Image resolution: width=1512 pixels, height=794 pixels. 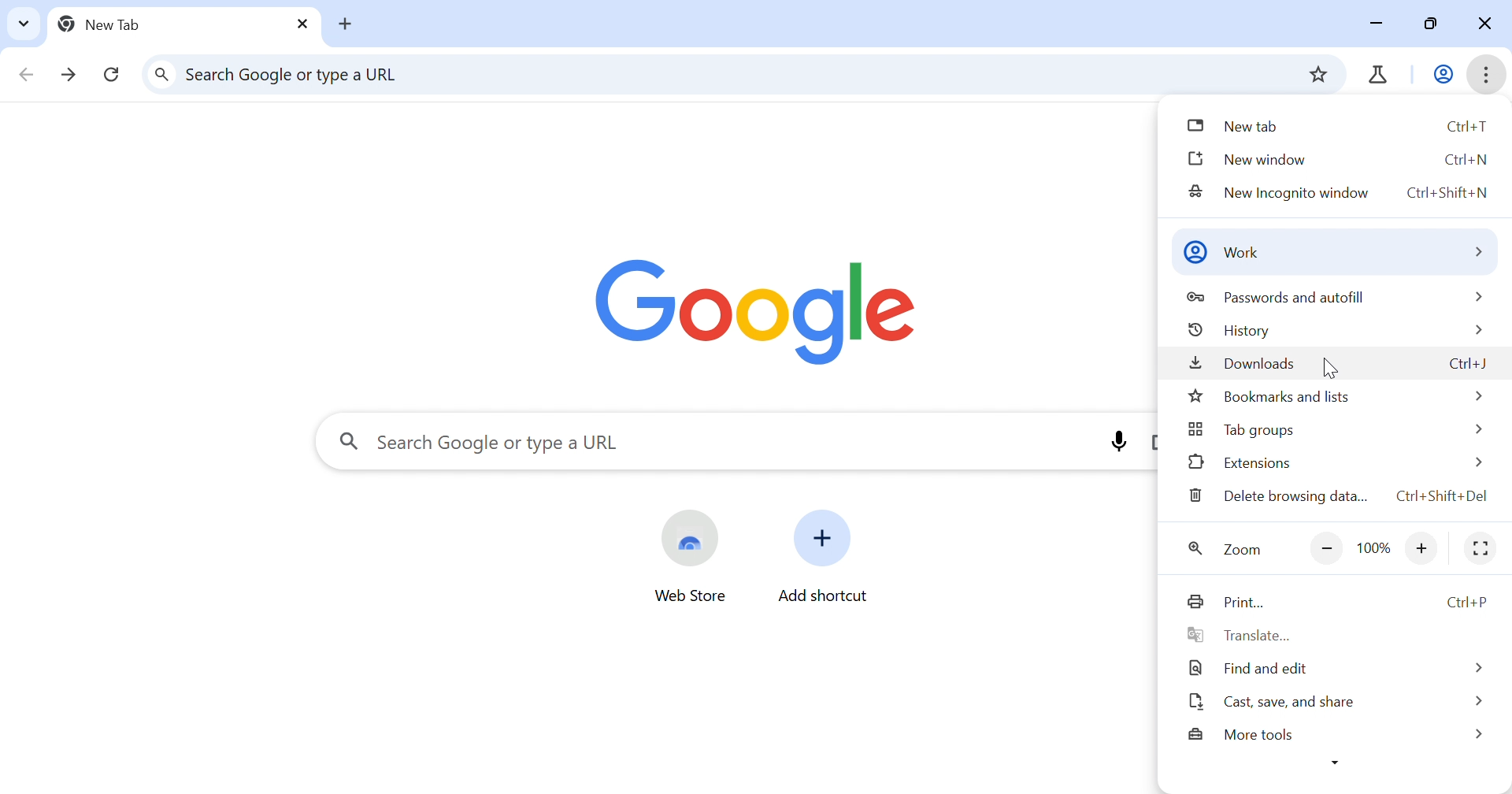 What do you see at coordinates (1334, 764) in the screenshot?
I see `More options` at bounding box center [1334, 764].